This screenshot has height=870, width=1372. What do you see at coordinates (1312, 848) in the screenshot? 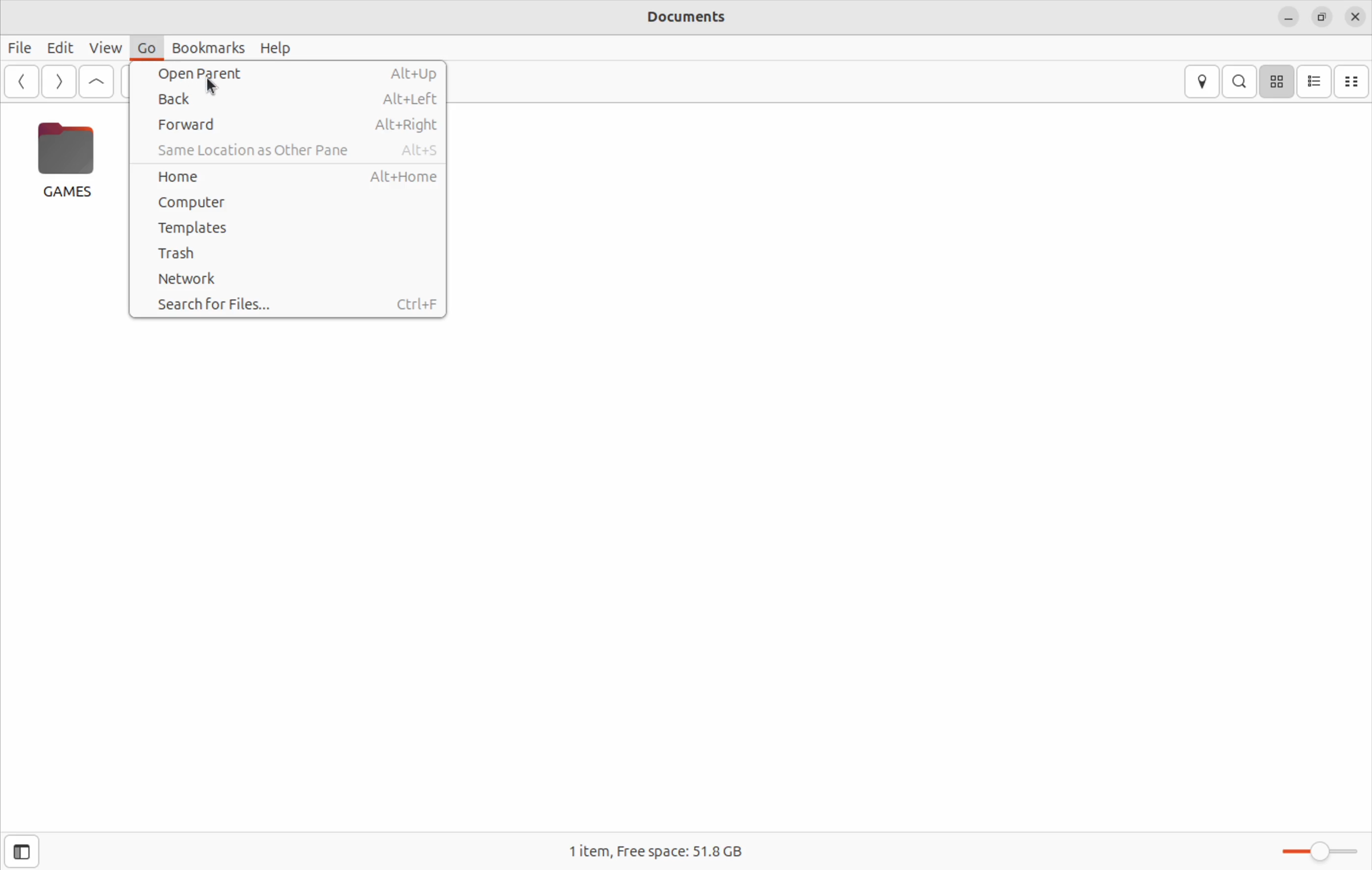
I see `toggle zoom` at bounding box center [1312, 848].